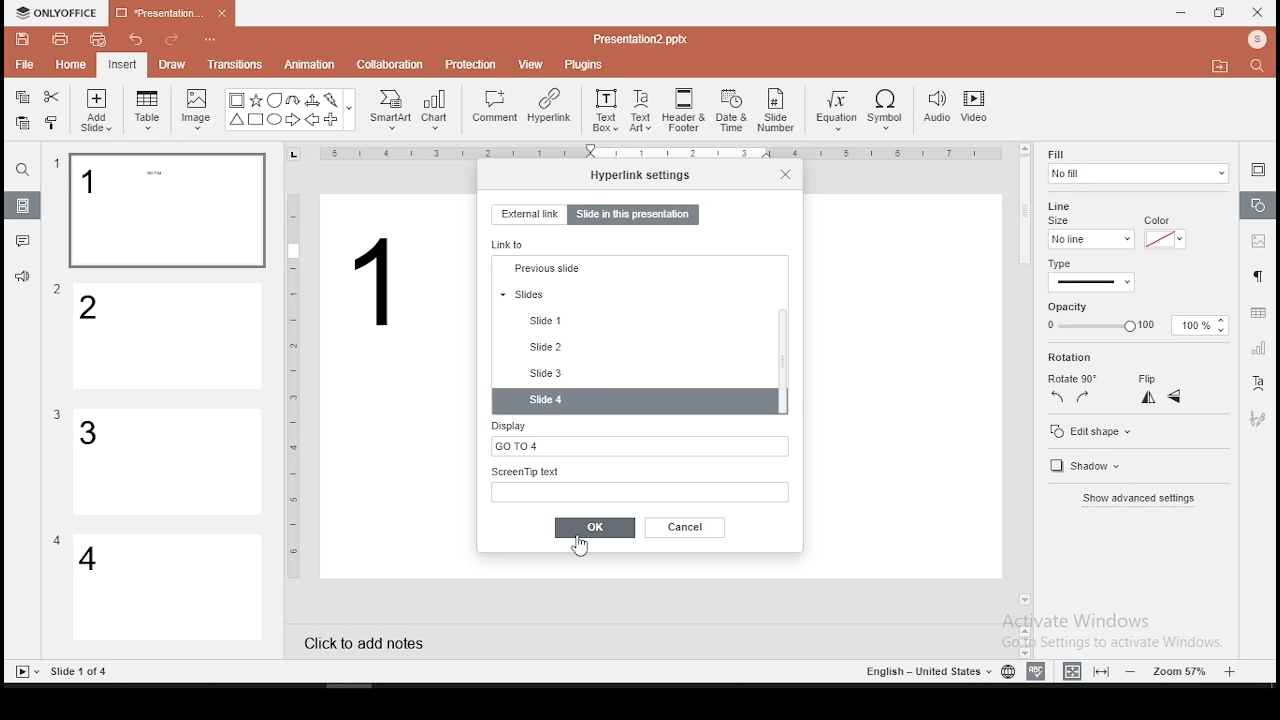 The height and width of the screenshot is (720, 1280). I want to click on show advanced settings, so click(1137, 501).